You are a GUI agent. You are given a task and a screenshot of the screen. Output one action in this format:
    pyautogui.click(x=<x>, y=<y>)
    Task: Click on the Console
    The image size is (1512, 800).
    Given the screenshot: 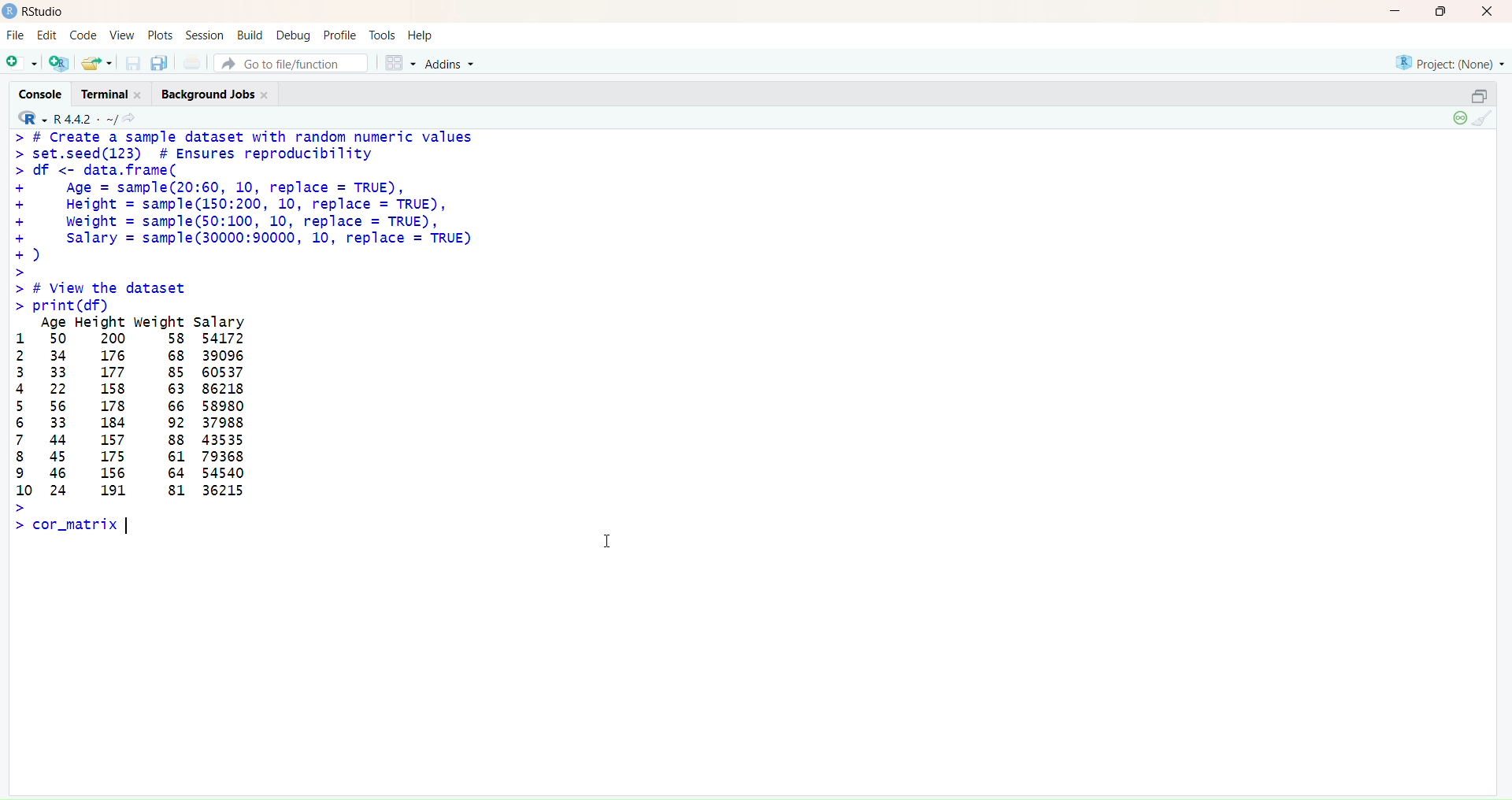 What is the action you would take?
    pyautogui.click(x=46, y=93)
    